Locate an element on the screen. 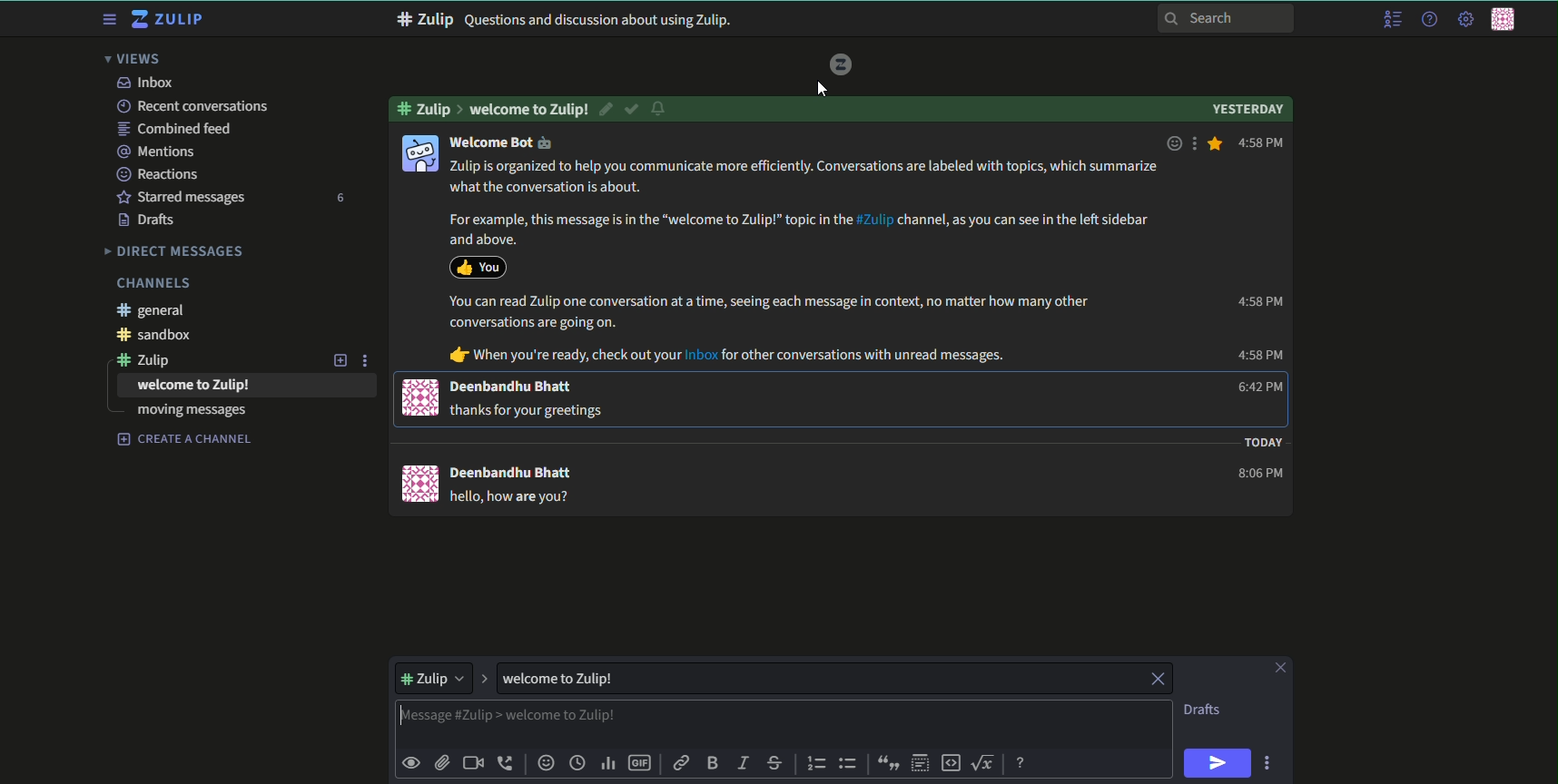 Image resolution: width=1558 pixels, height=784 pixels. # Zulip Questions and discussion about using Zulip. is located at coordinates (567, 18).